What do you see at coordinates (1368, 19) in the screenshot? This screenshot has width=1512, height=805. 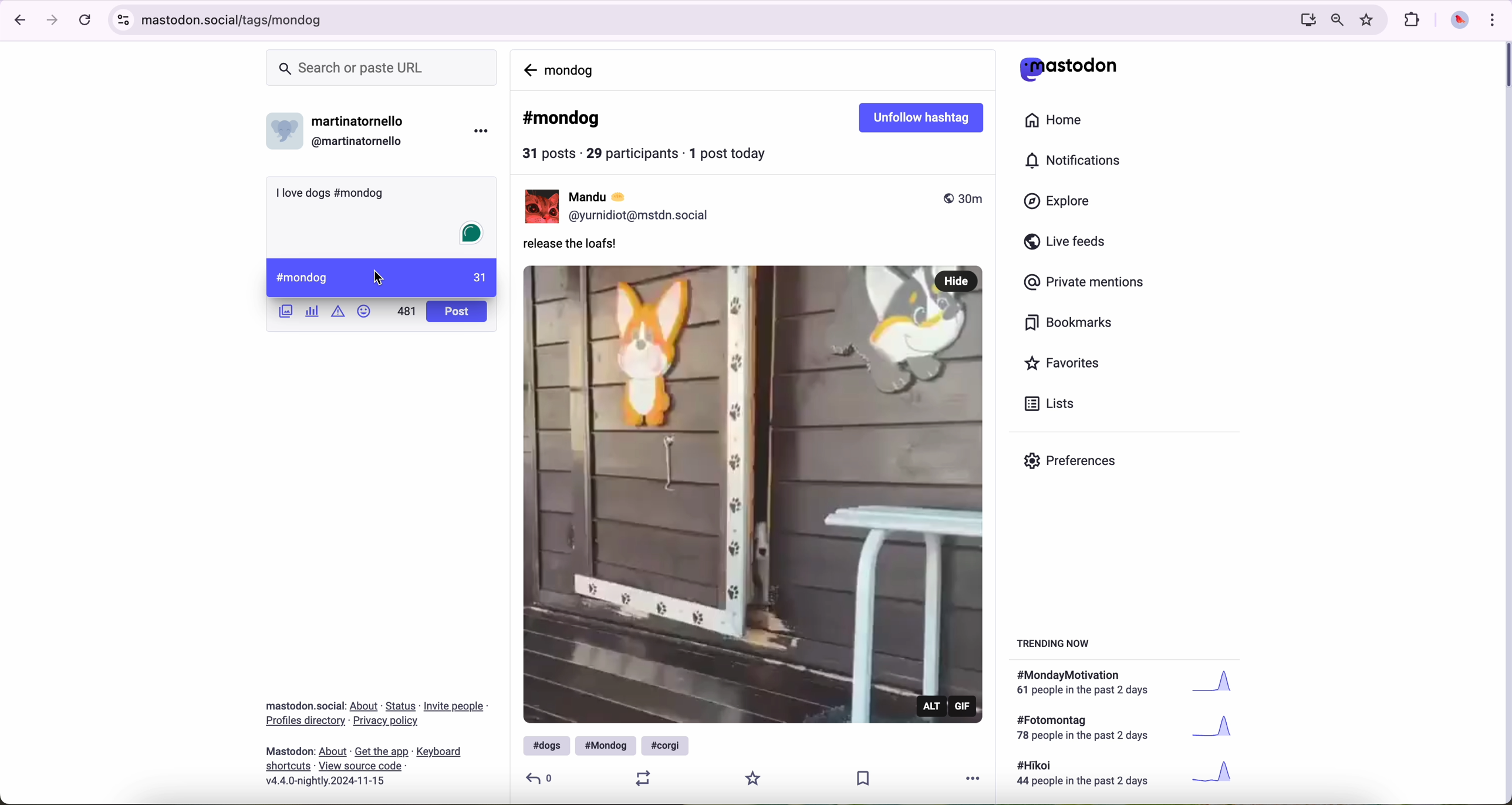 I see `favorites` at bounding box center [1368, 19].